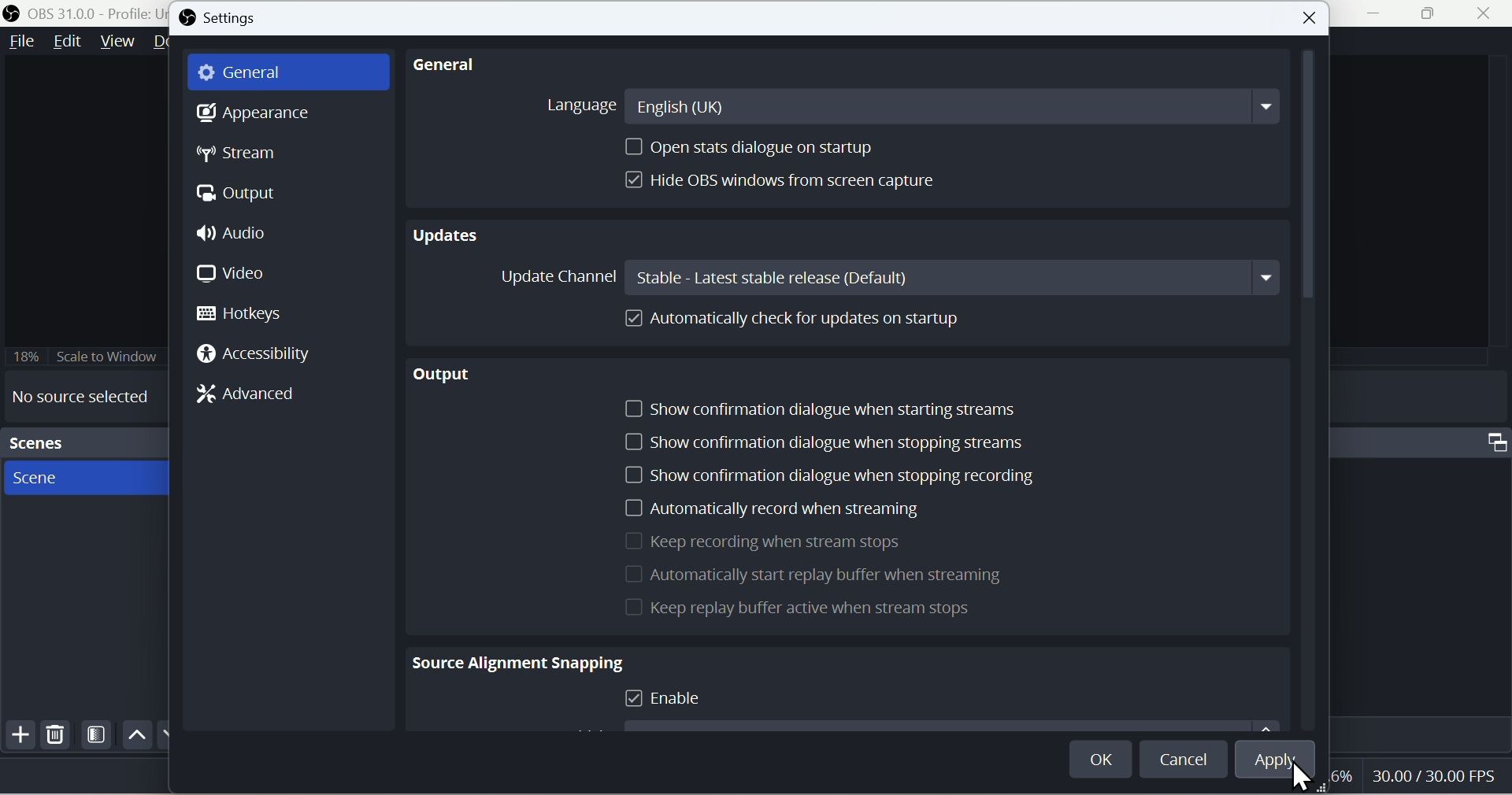  What do you see at coordinates (785, 180) in the screenshot?
I see `Hide OBS windows` at bounding box center [785, 180].